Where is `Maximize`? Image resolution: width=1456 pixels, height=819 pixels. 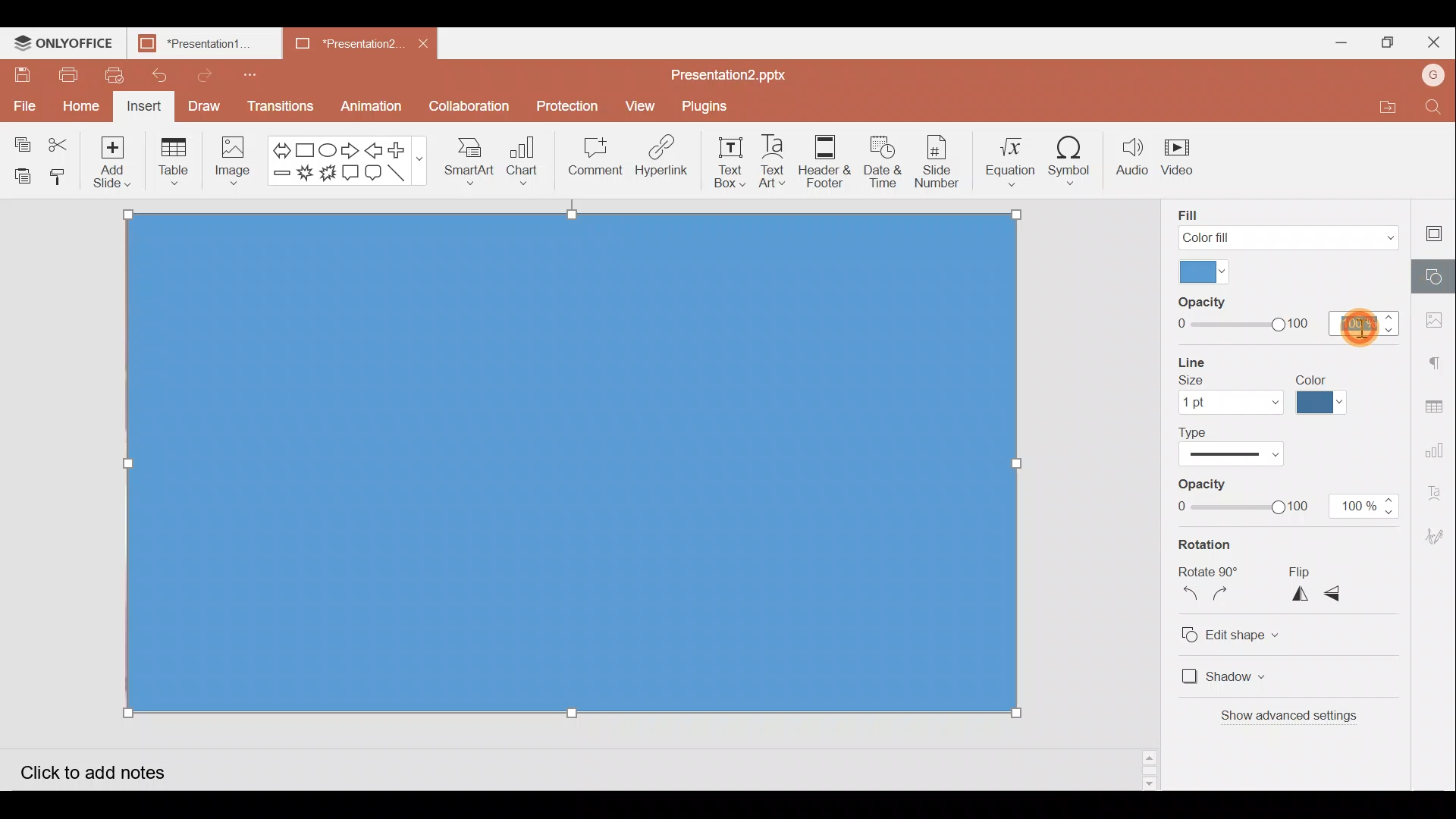
Maximize is located at coordinates (1386, 41).